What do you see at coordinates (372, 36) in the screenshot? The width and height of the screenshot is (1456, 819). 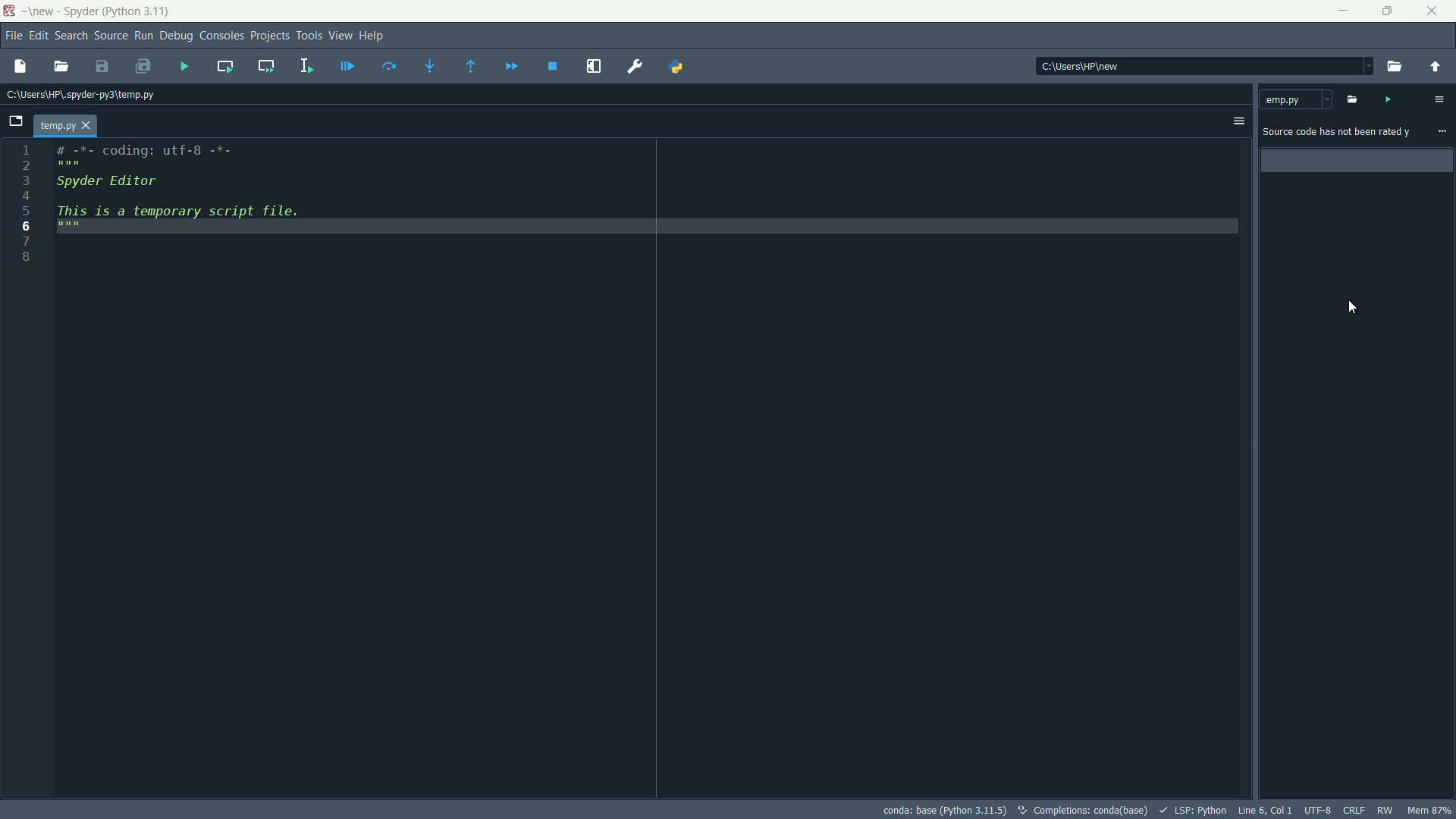 I see `help menu` at bounding box center [372, 36].